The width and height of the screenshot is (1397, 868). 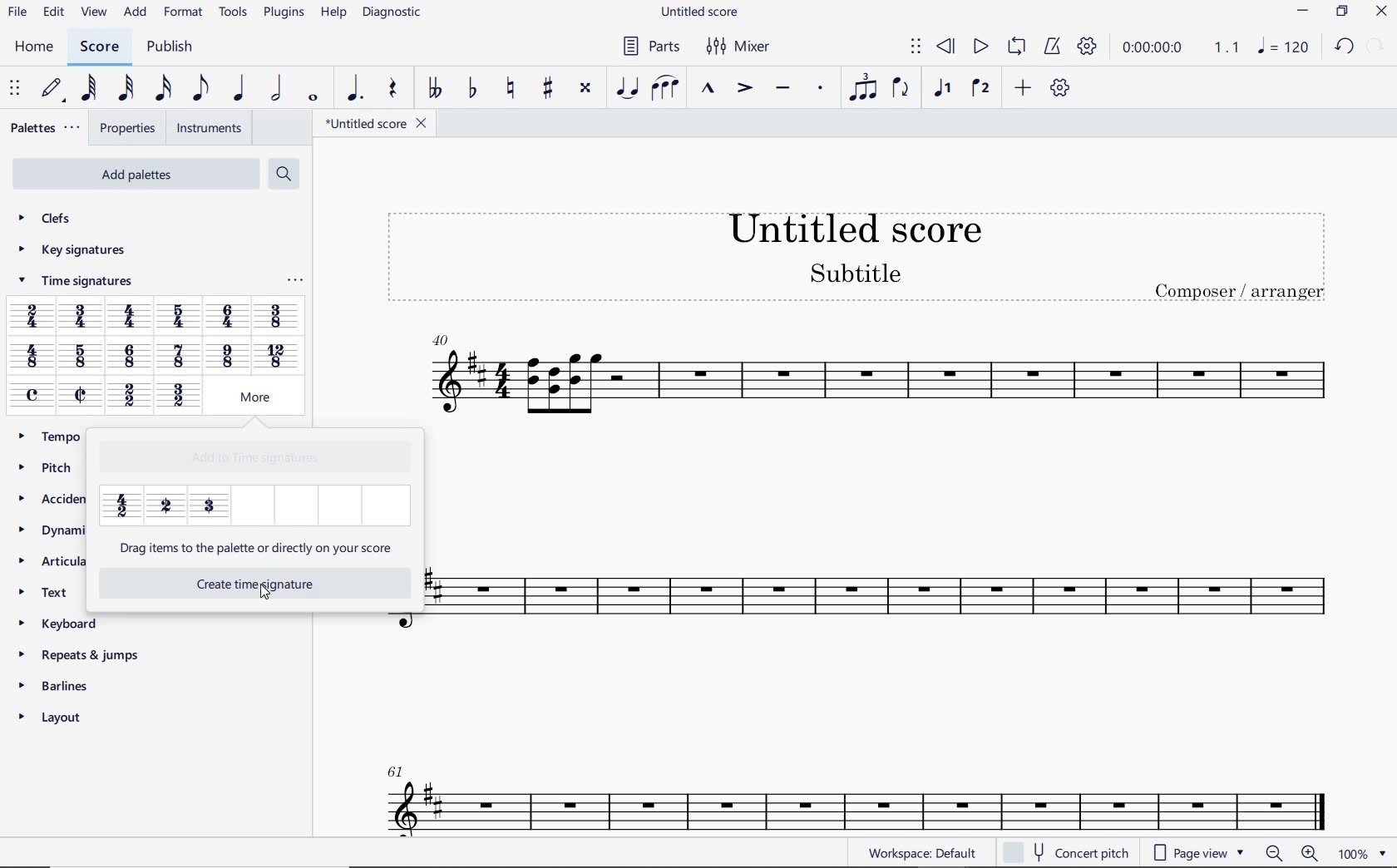 I want to click on TOGGLE SHARP, so click(x=545, y=90).